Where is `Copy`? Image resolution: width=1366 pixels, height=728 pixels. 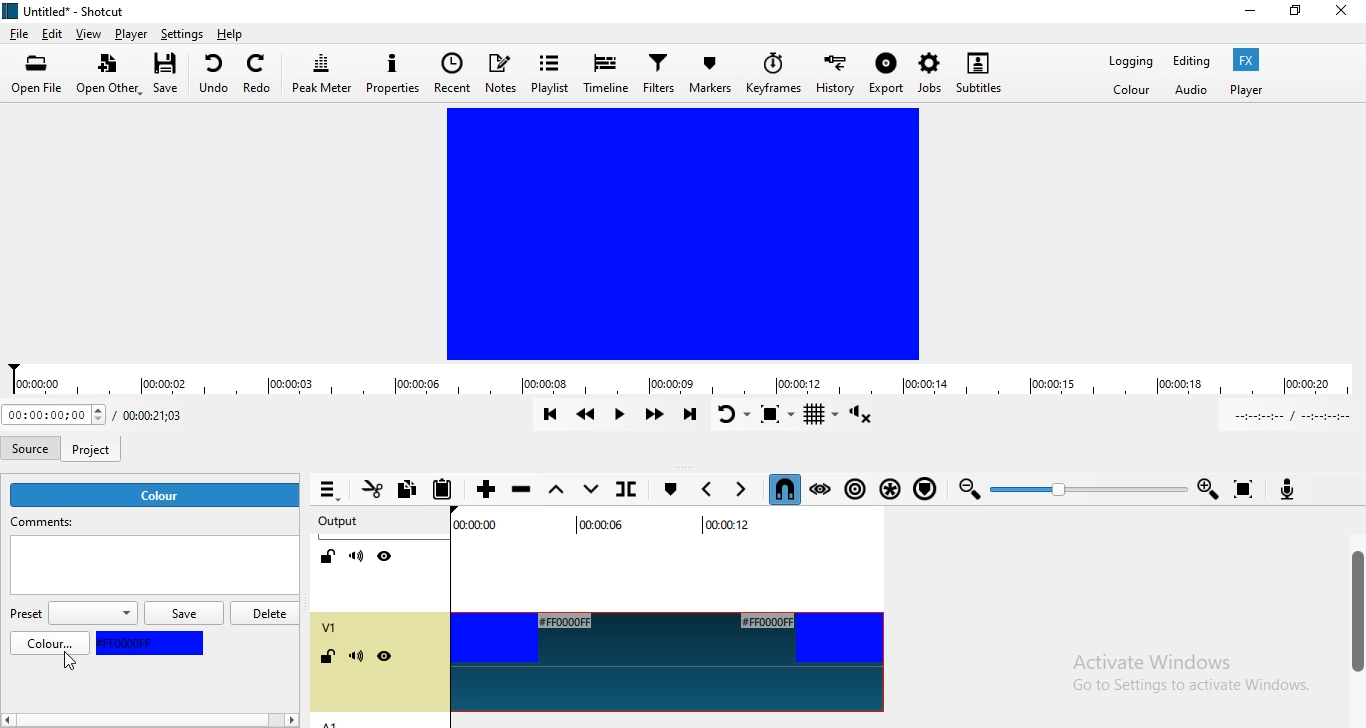 Copy is located at coordinates (411, 488).